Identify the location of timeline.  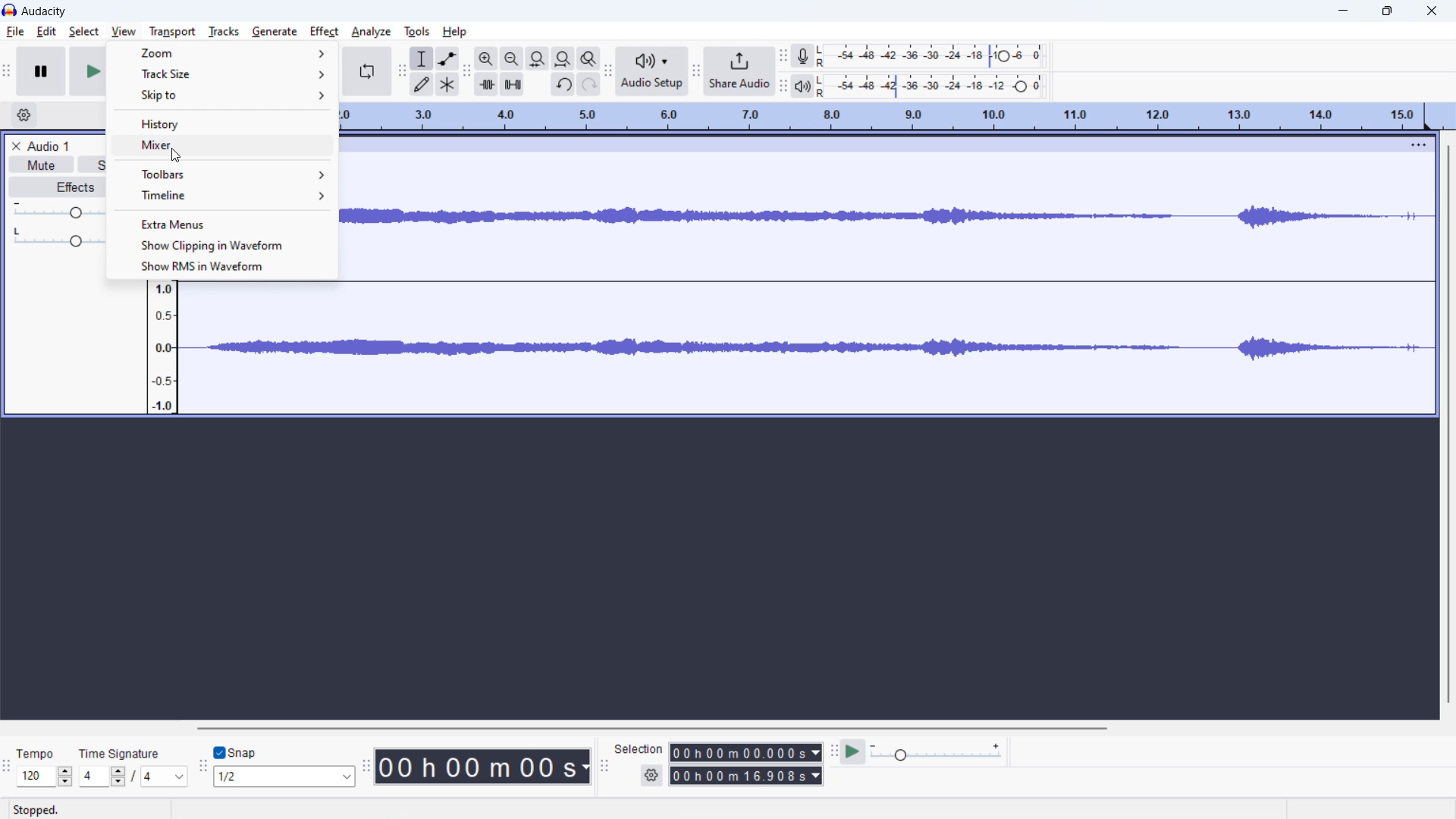
(232, 199).